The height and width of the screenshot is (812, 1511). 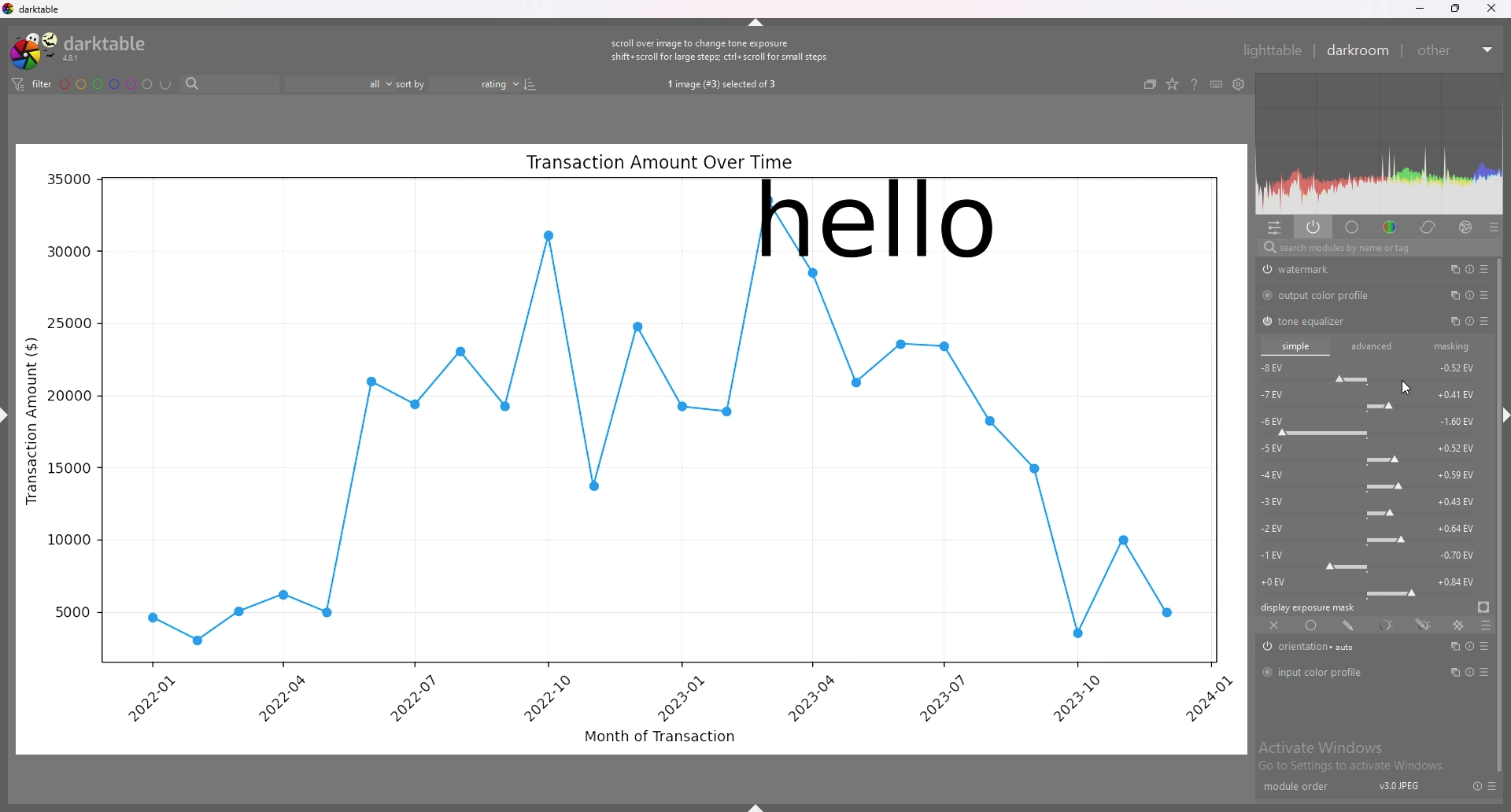 I want to click on effect, so click(x=1465, y=227).